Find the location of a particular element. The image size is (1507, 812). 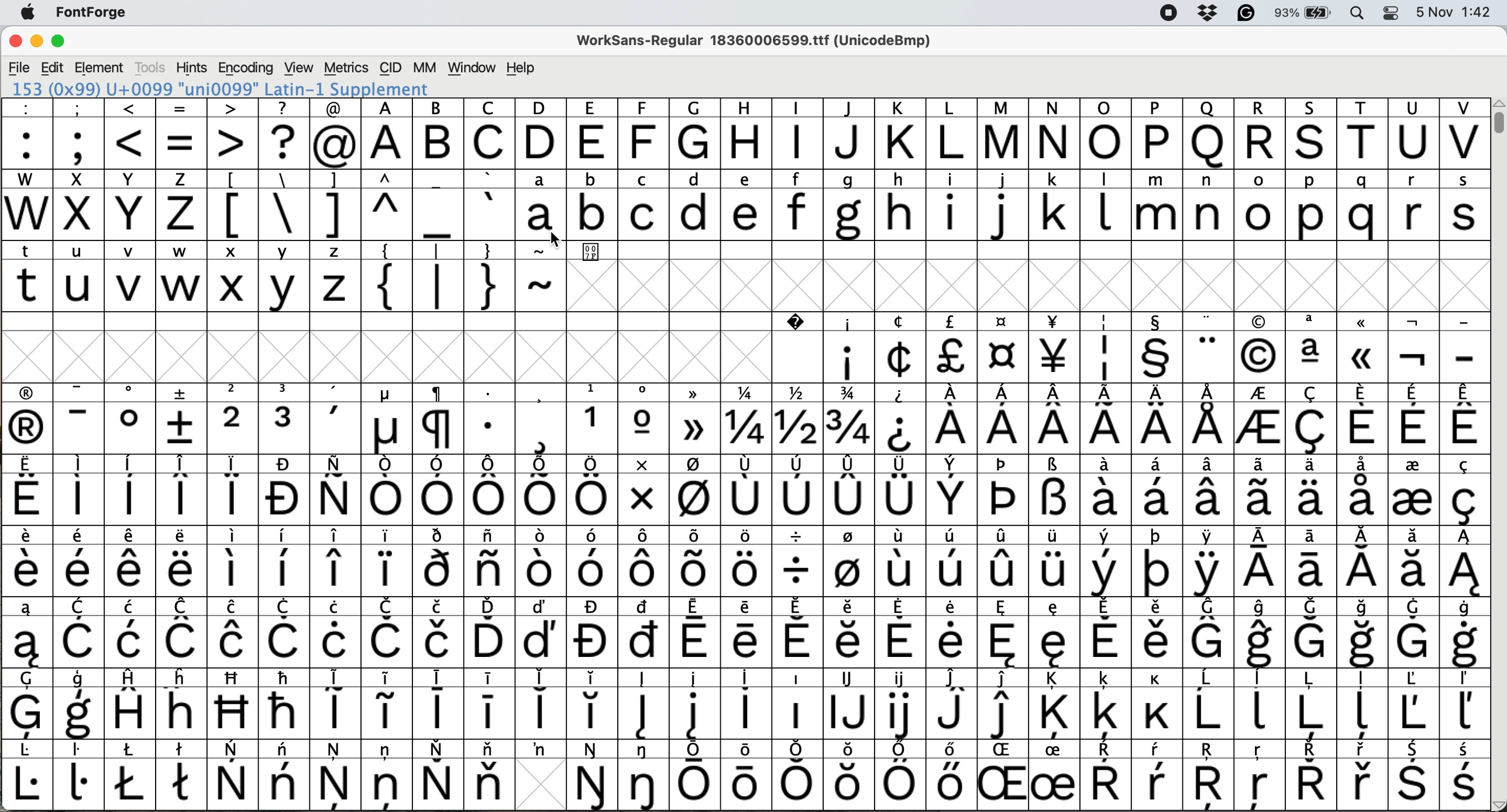

symbol is located at coordinates (850, 489).